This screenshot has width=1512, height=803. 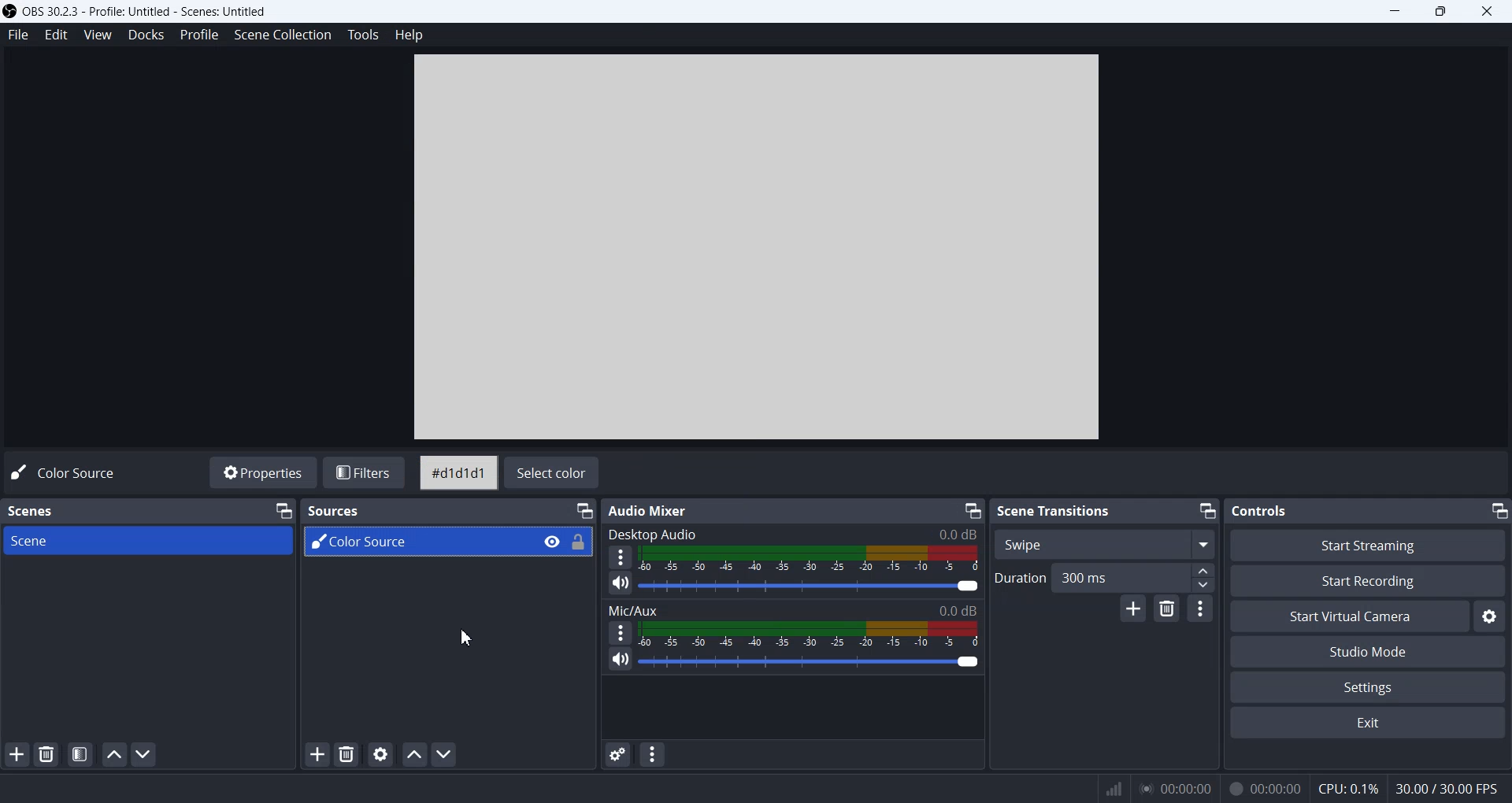 I want to click on Code Source, so click(x=67, y=472).